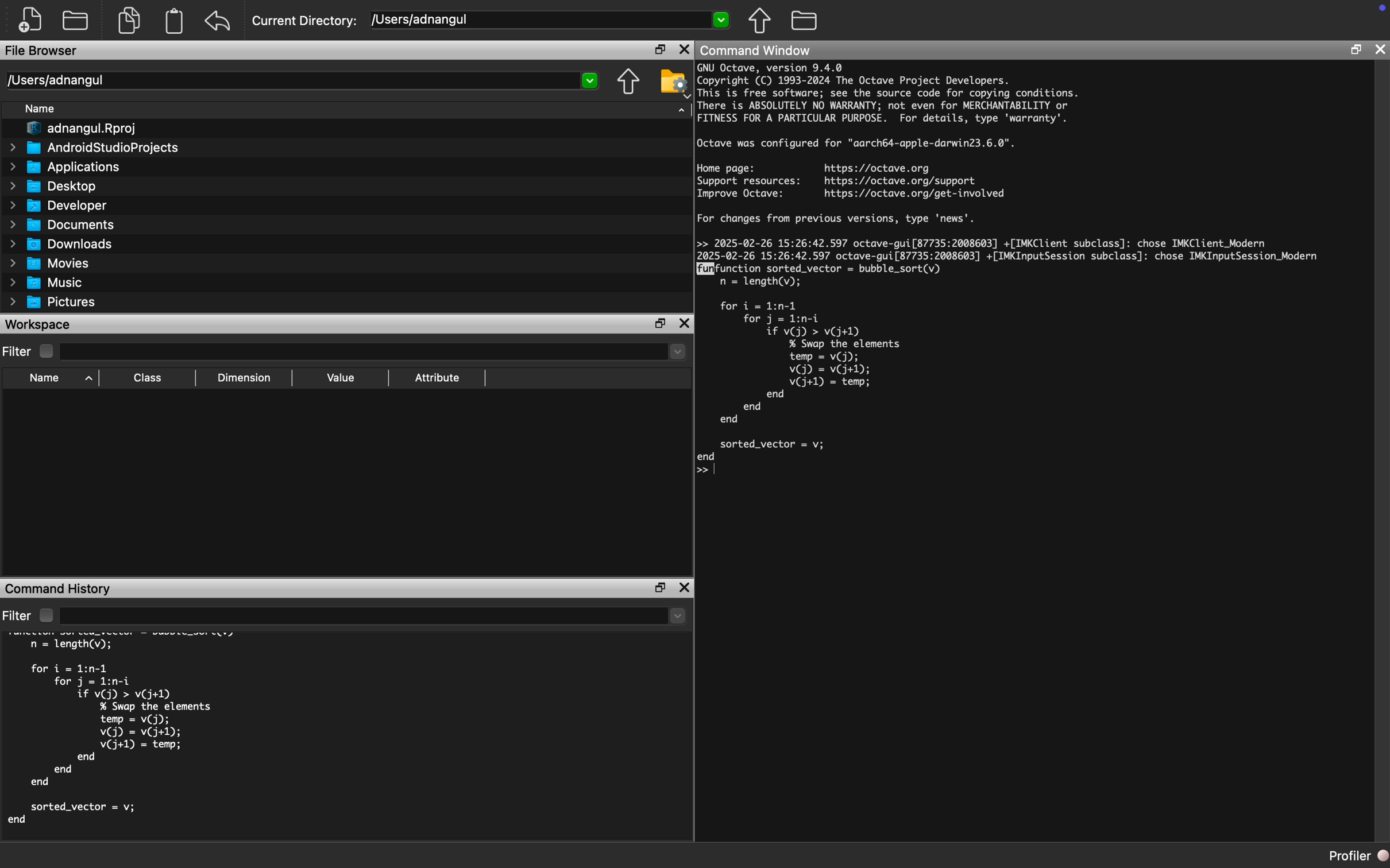 This screenshot has width=1390, height=868. I want to click on Close, so click(1381, 49).